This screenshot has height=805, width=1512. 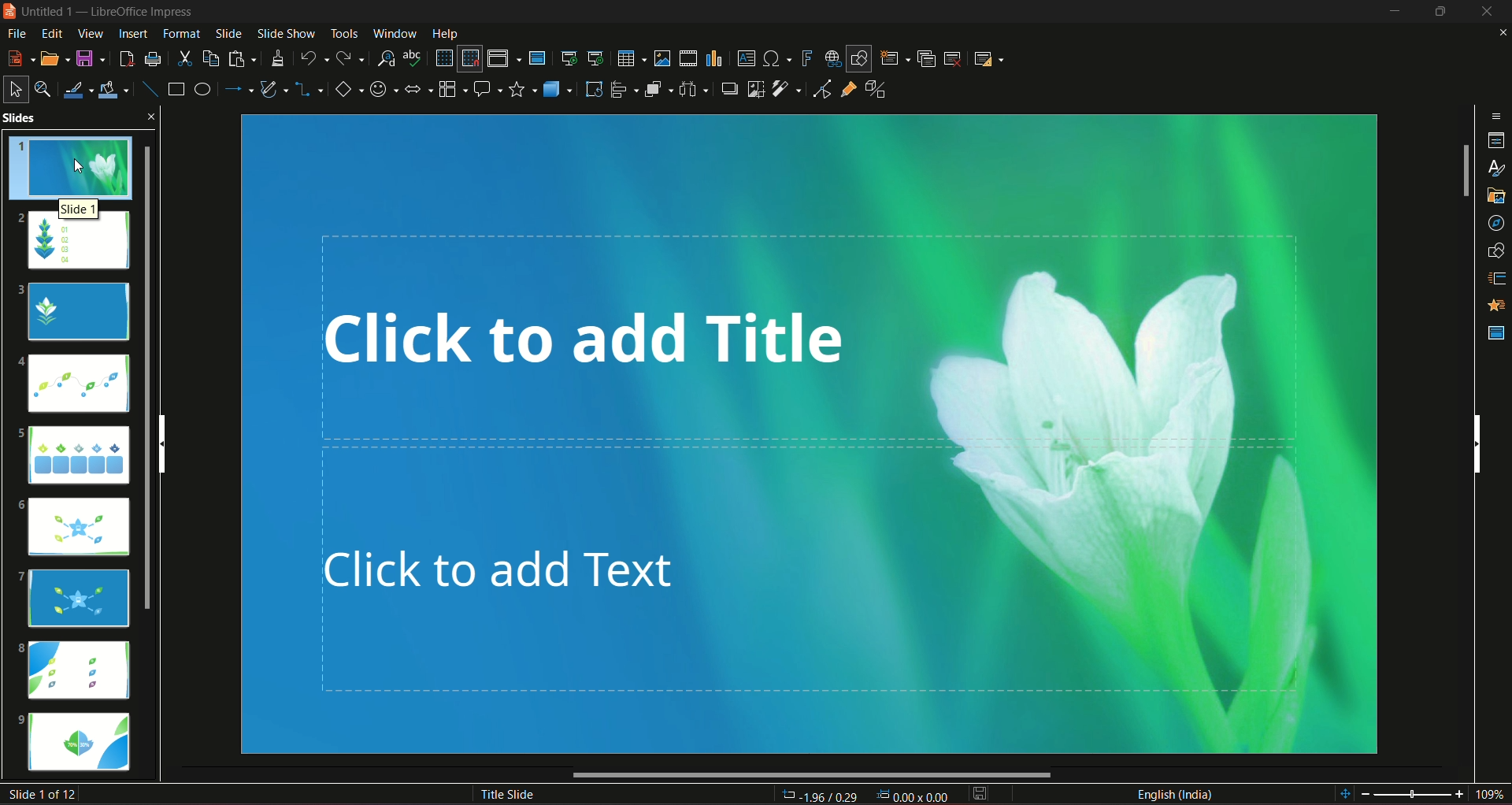 I want to click on toggle point edit, so click(x=820, y=91).